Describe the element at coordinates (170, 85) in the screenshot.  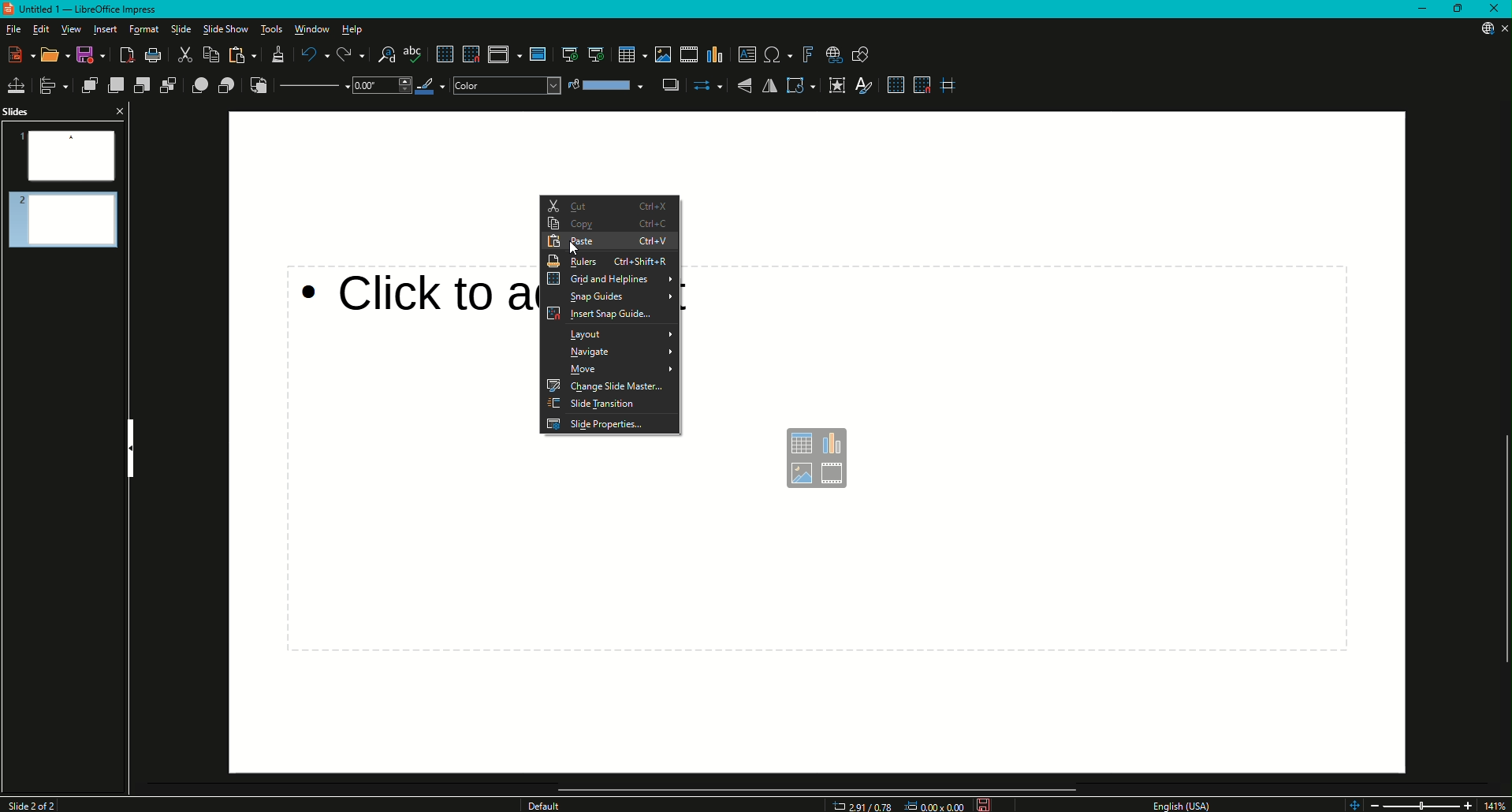
I see `Send to Back` at that location.